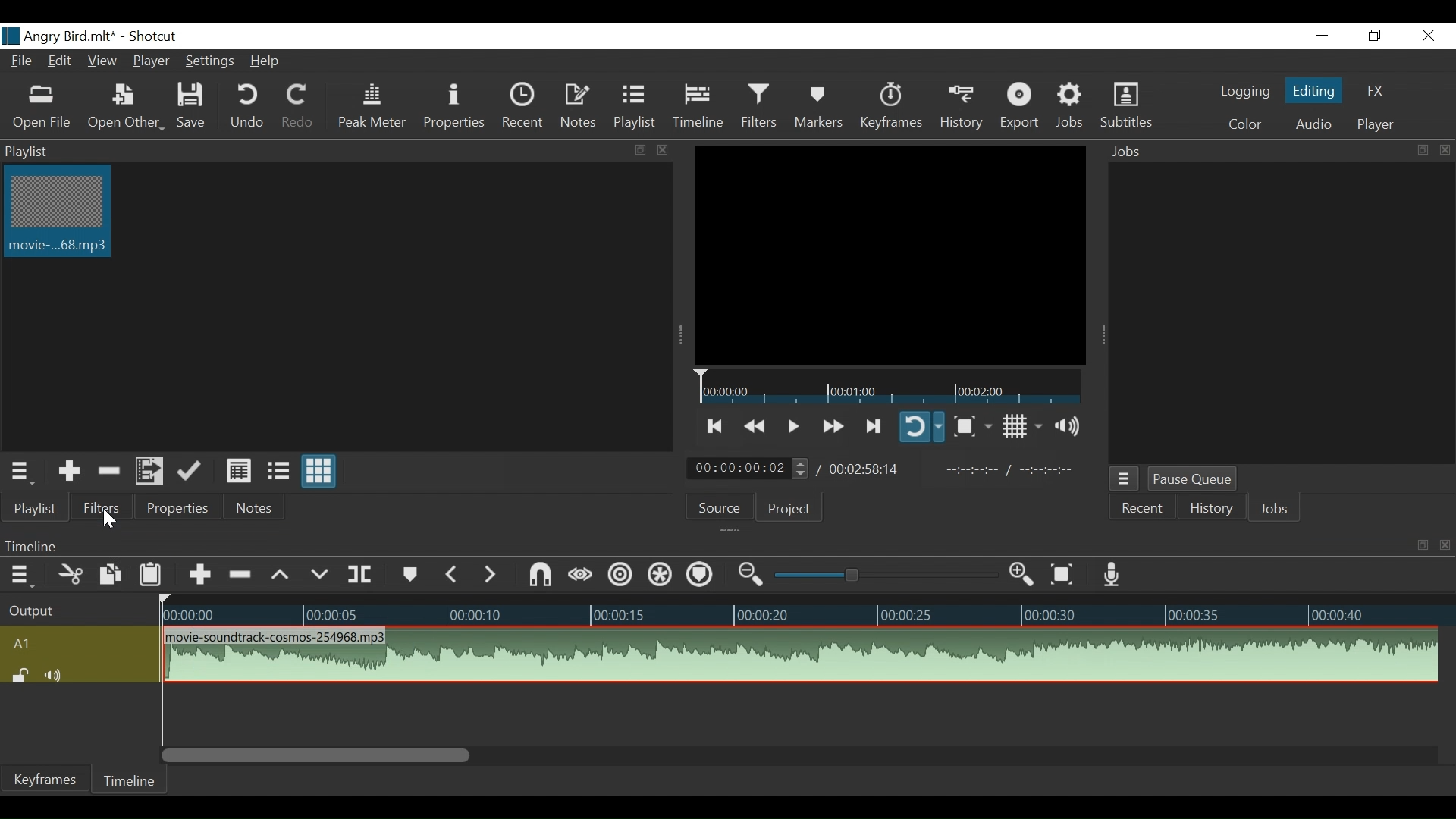  What do you see at coordinates (1126, 106) in the screenshot?
I see `Subtitles` at bounding box center [1126, 106].